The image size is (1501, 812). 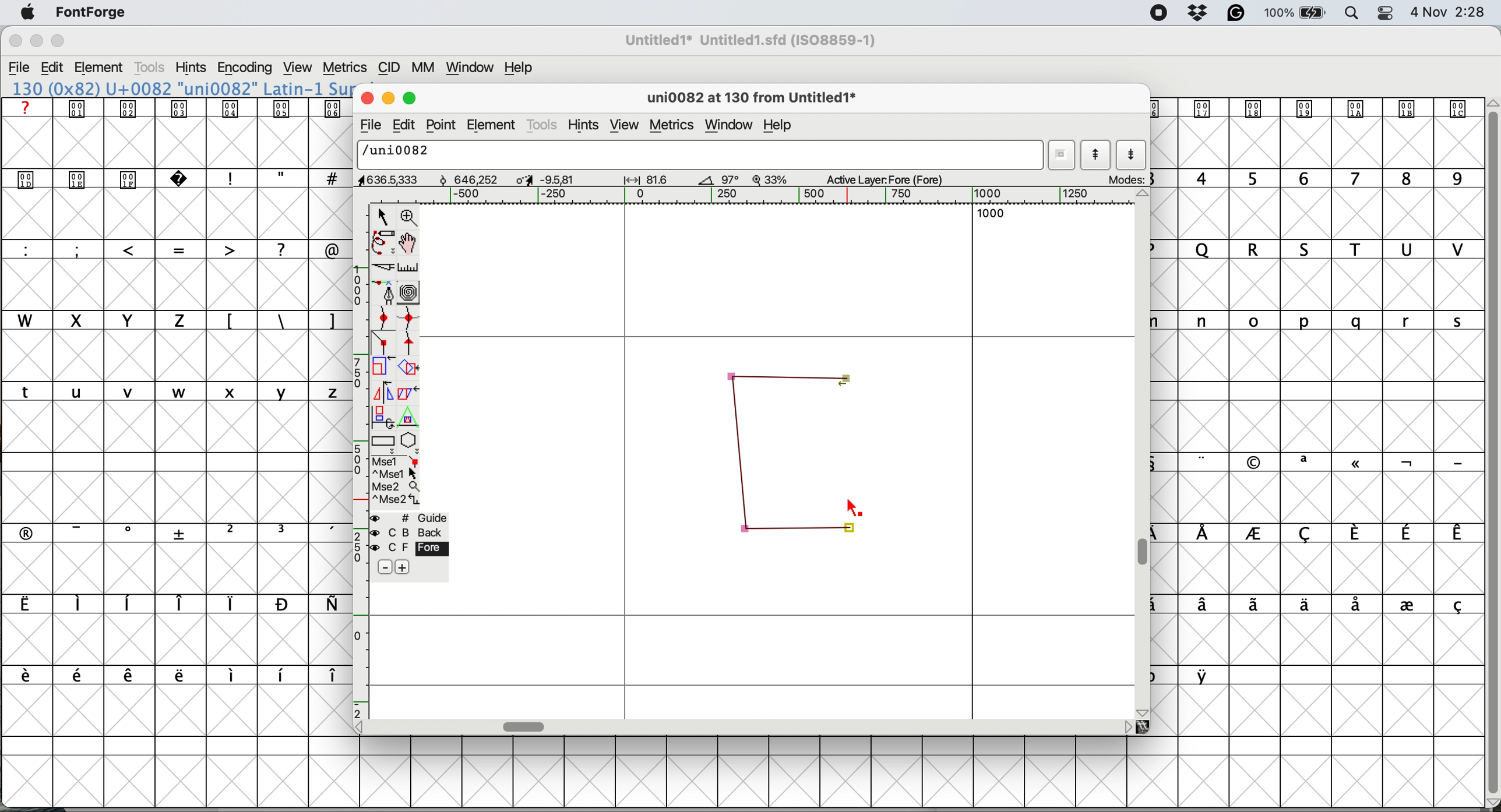 What do you see at coordinates (1060, 155) in the screenshot?
I see `current word list` at bounding box center [1060, 155].